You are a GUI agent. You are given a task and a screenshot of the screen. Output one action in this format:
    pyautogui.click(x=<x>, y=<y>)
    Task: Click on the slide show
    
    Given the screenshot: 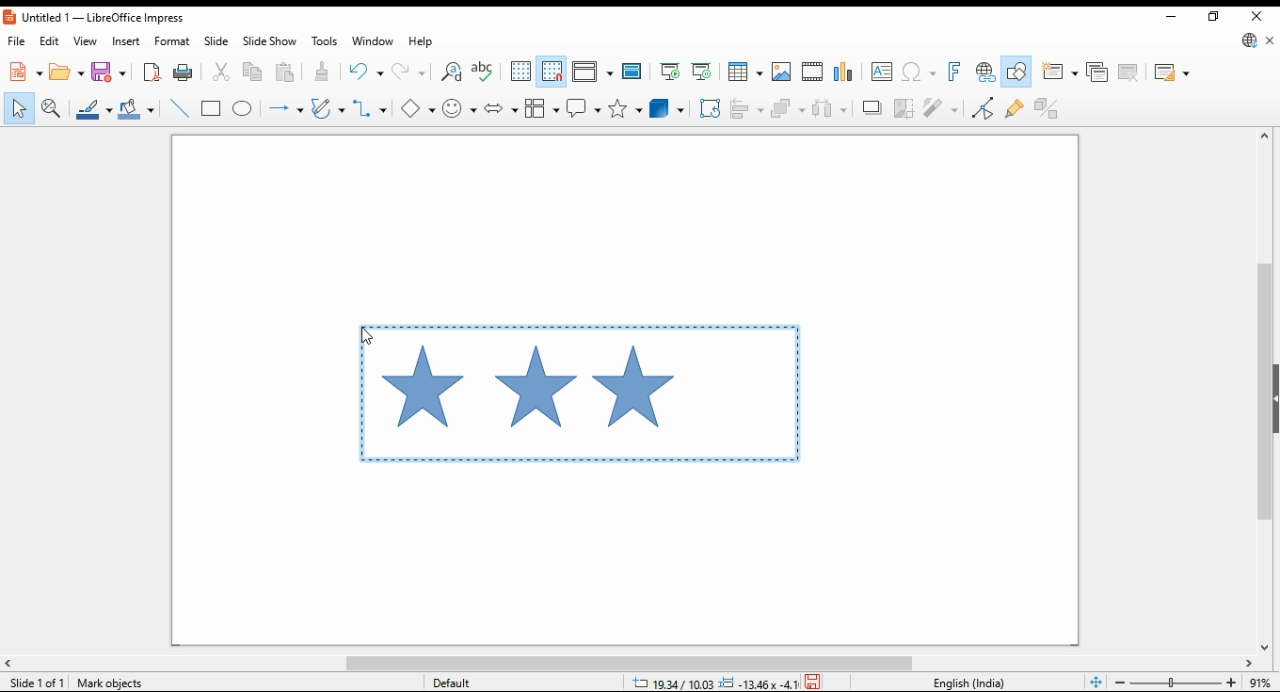 What is the action you would take?
    pyautogui.click(x=268, y=42)
    